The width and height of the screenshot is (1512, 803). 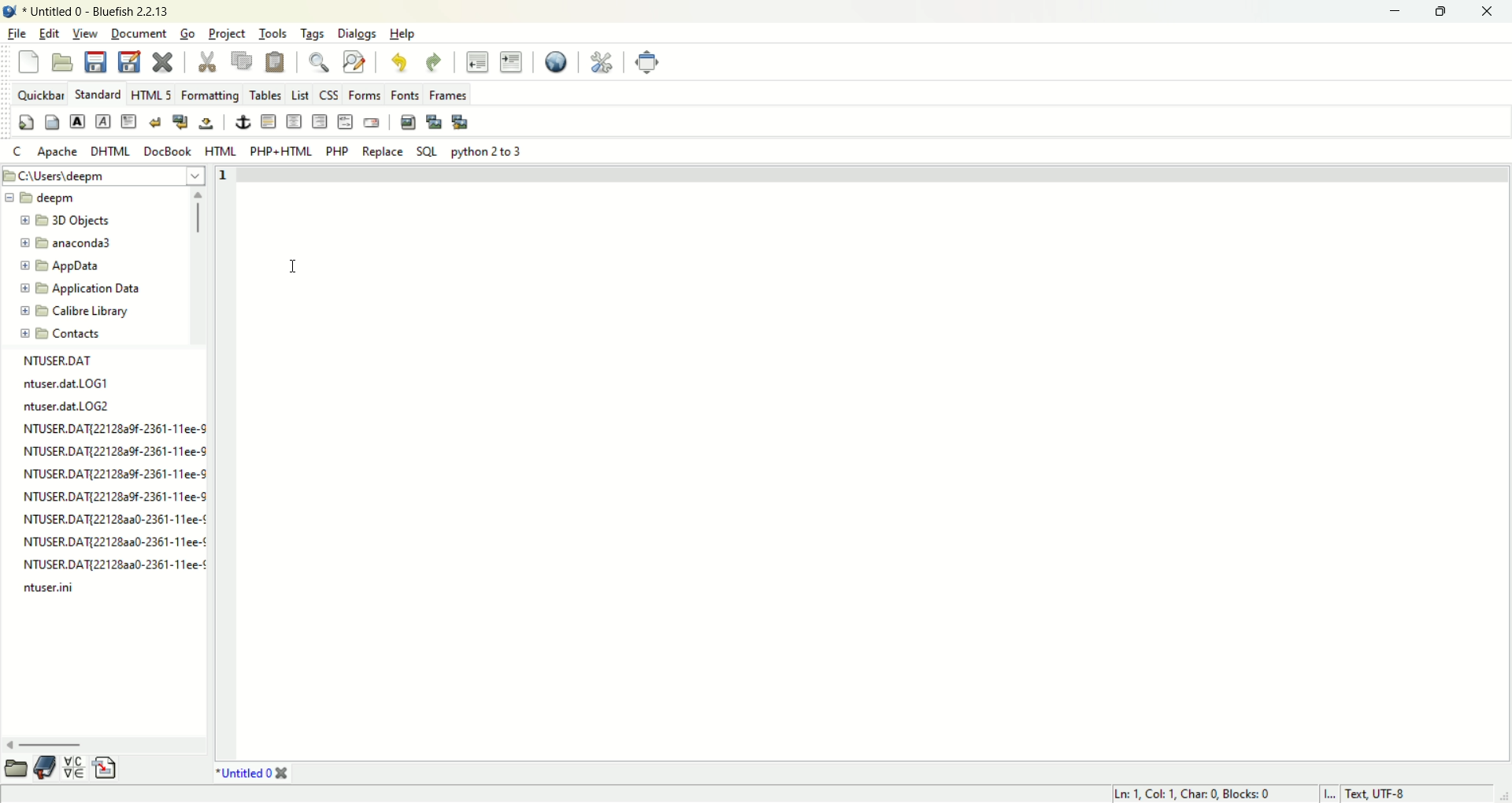 I want to click on insert image, so click(x=406, y=123).